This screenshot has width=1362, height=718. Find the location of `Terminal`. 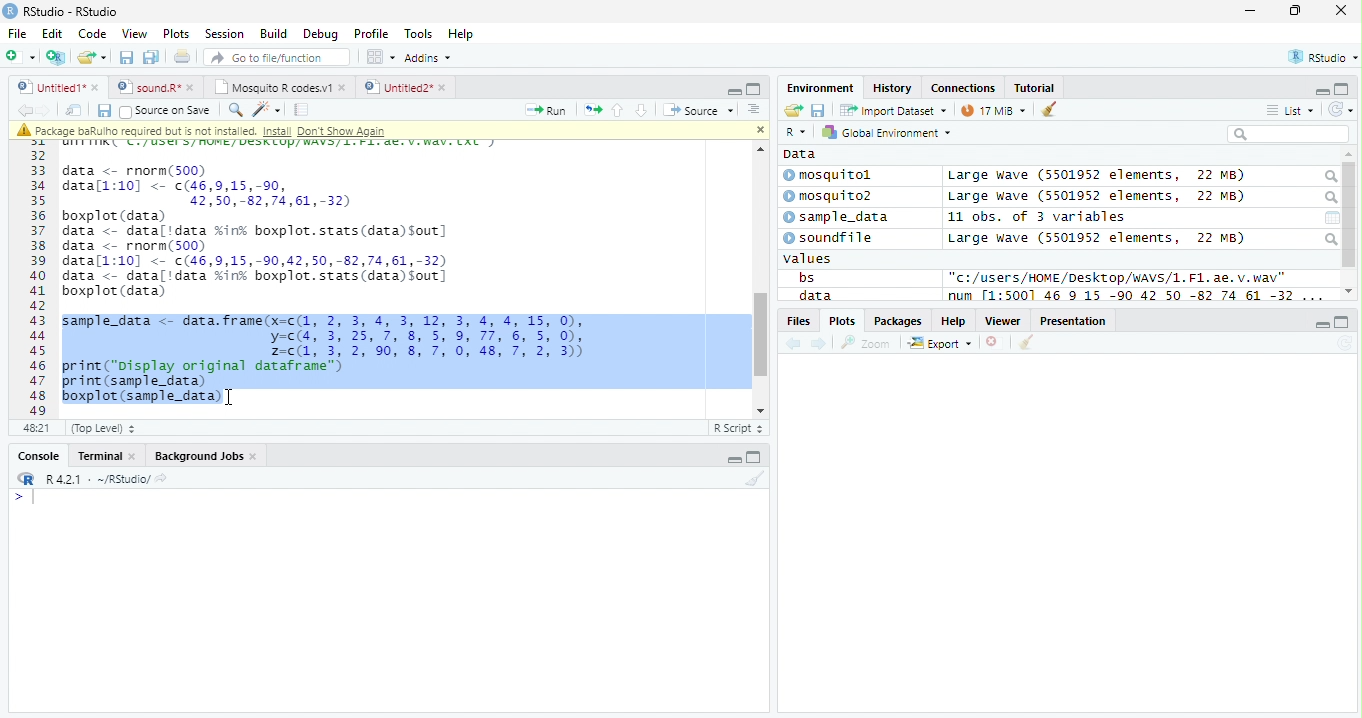

Terminal is located at coordinates (104, 456).